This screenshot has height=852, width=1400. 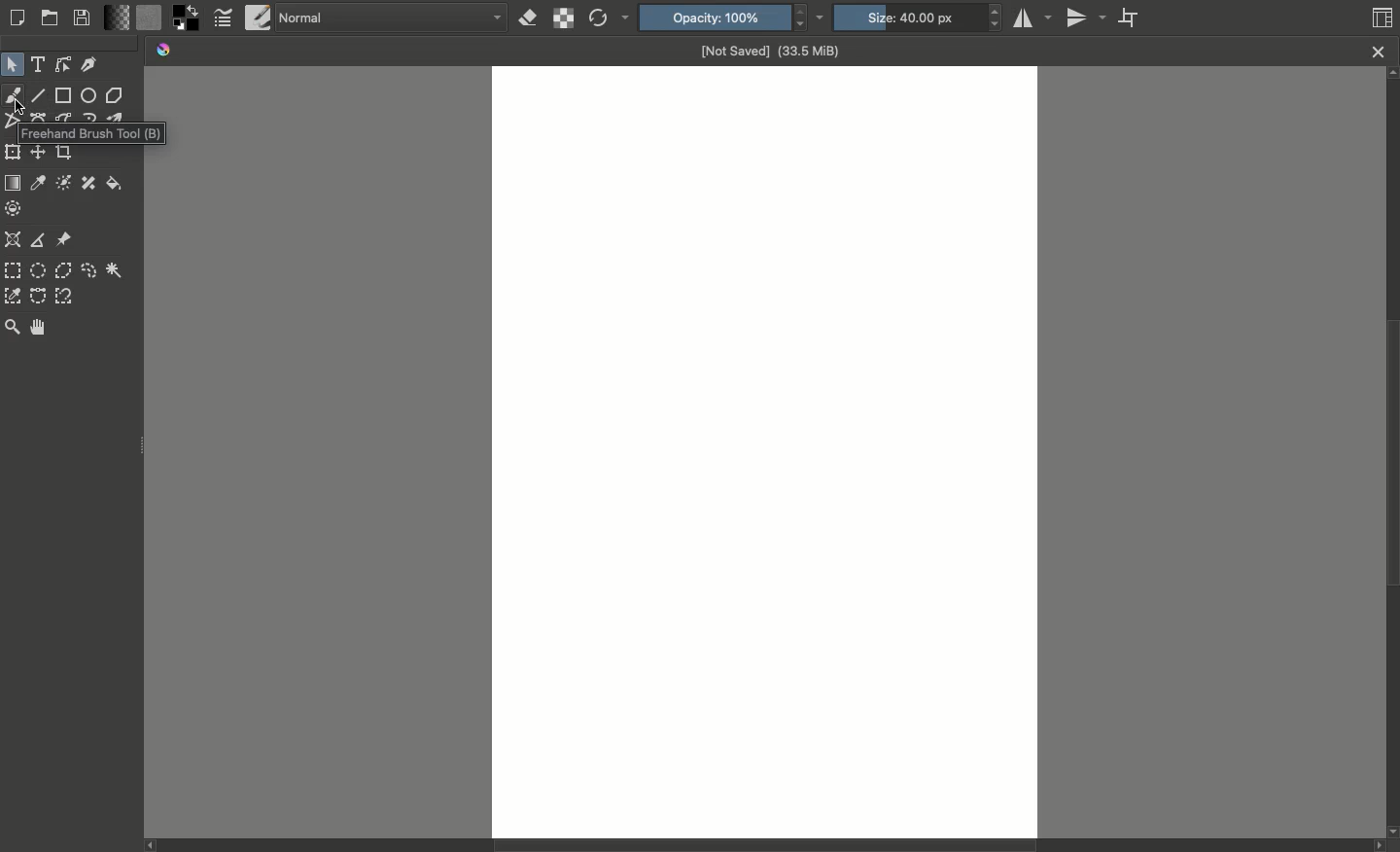 What do you see at coordinates (39, 182) in the screenshot?
I see `Sample color` at bounding box center [39, 182].